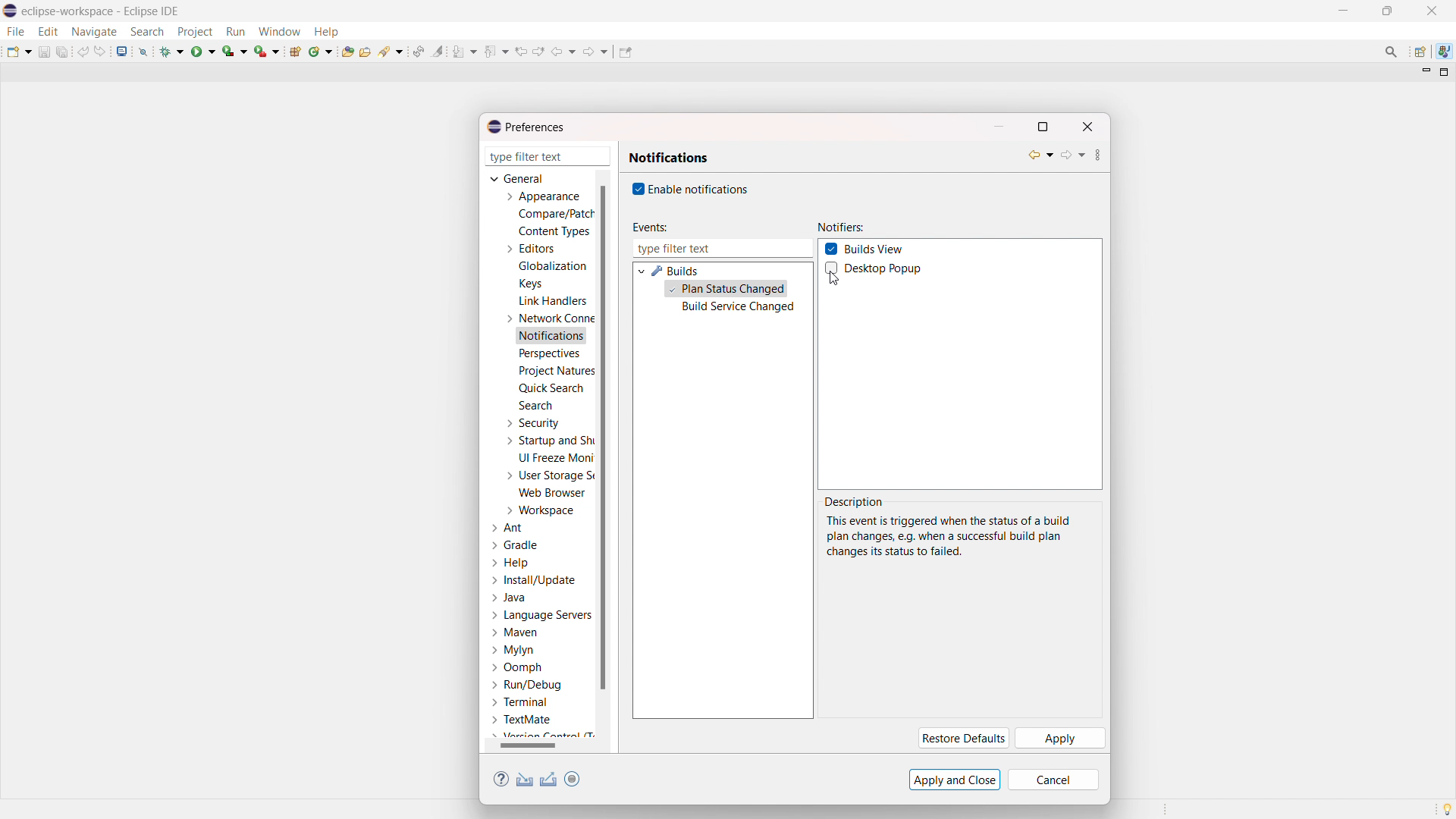 The width and height of the screenshot is (1456, 819). What do you see at coordinates (367, 50) in the screenshot?
I see `open task` at bounding box center [367, 50].